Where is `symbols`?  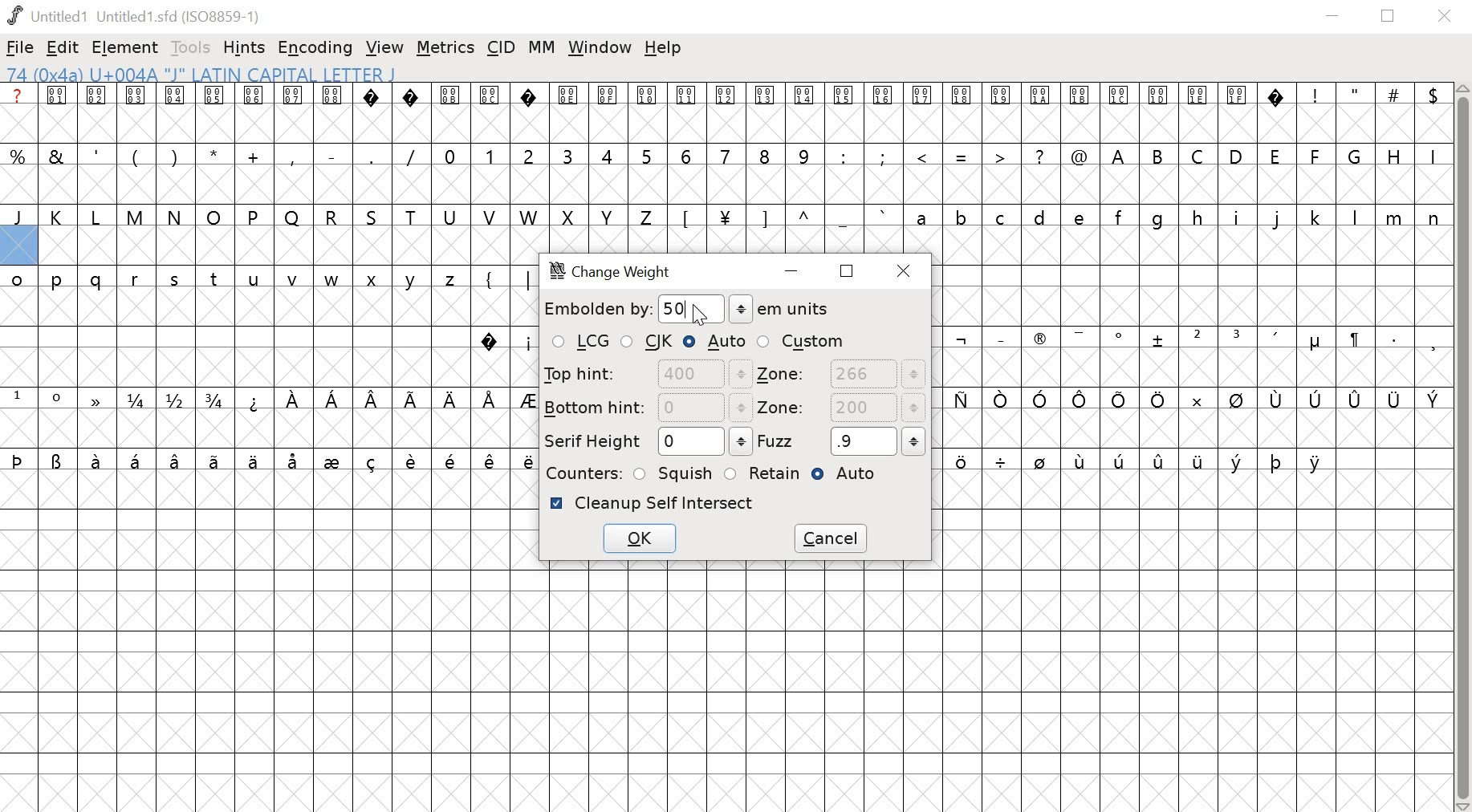 symbols is located at coordinates (501, 278).